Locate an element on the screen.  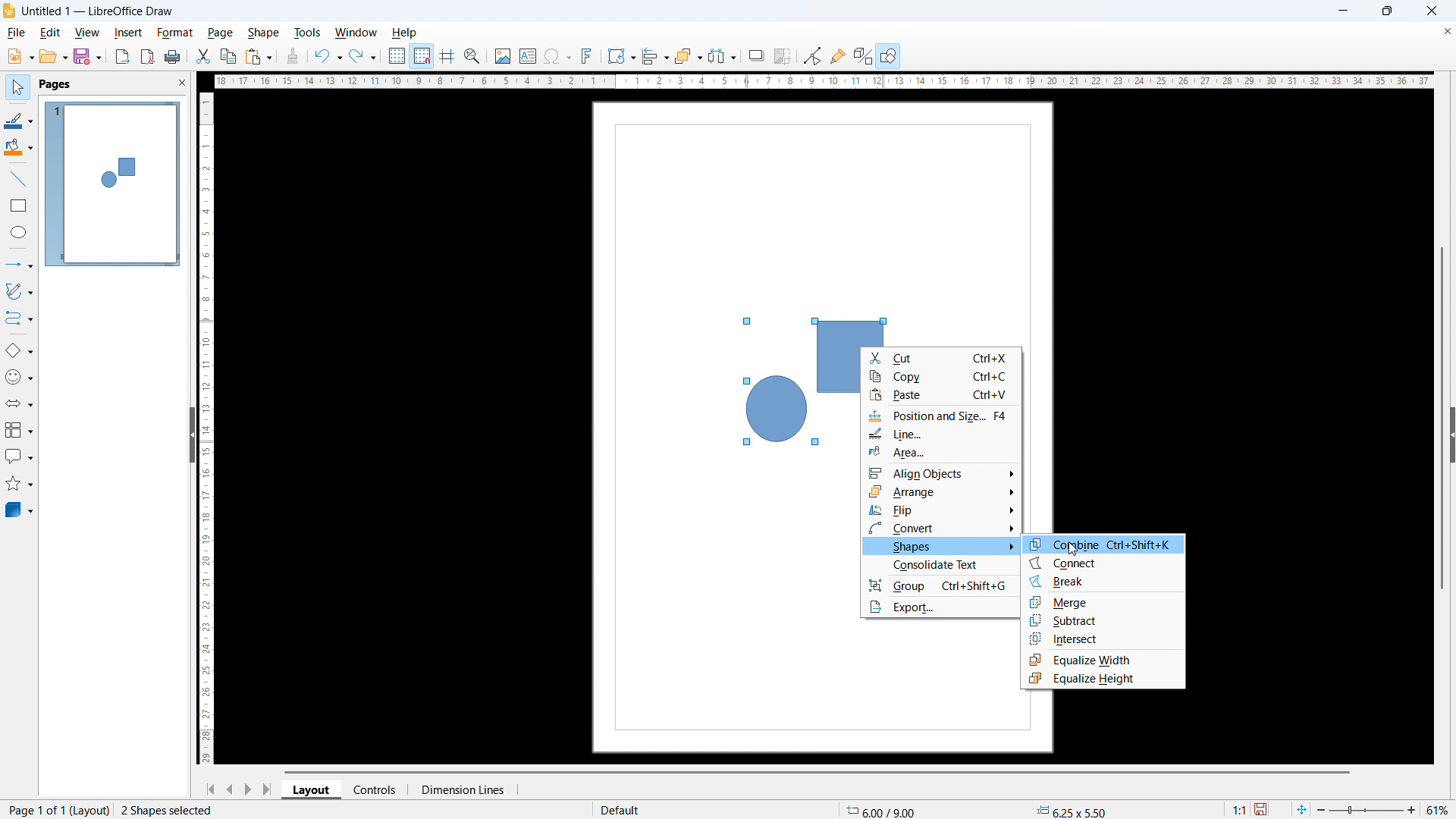
area is located at coordinates (941, 452).